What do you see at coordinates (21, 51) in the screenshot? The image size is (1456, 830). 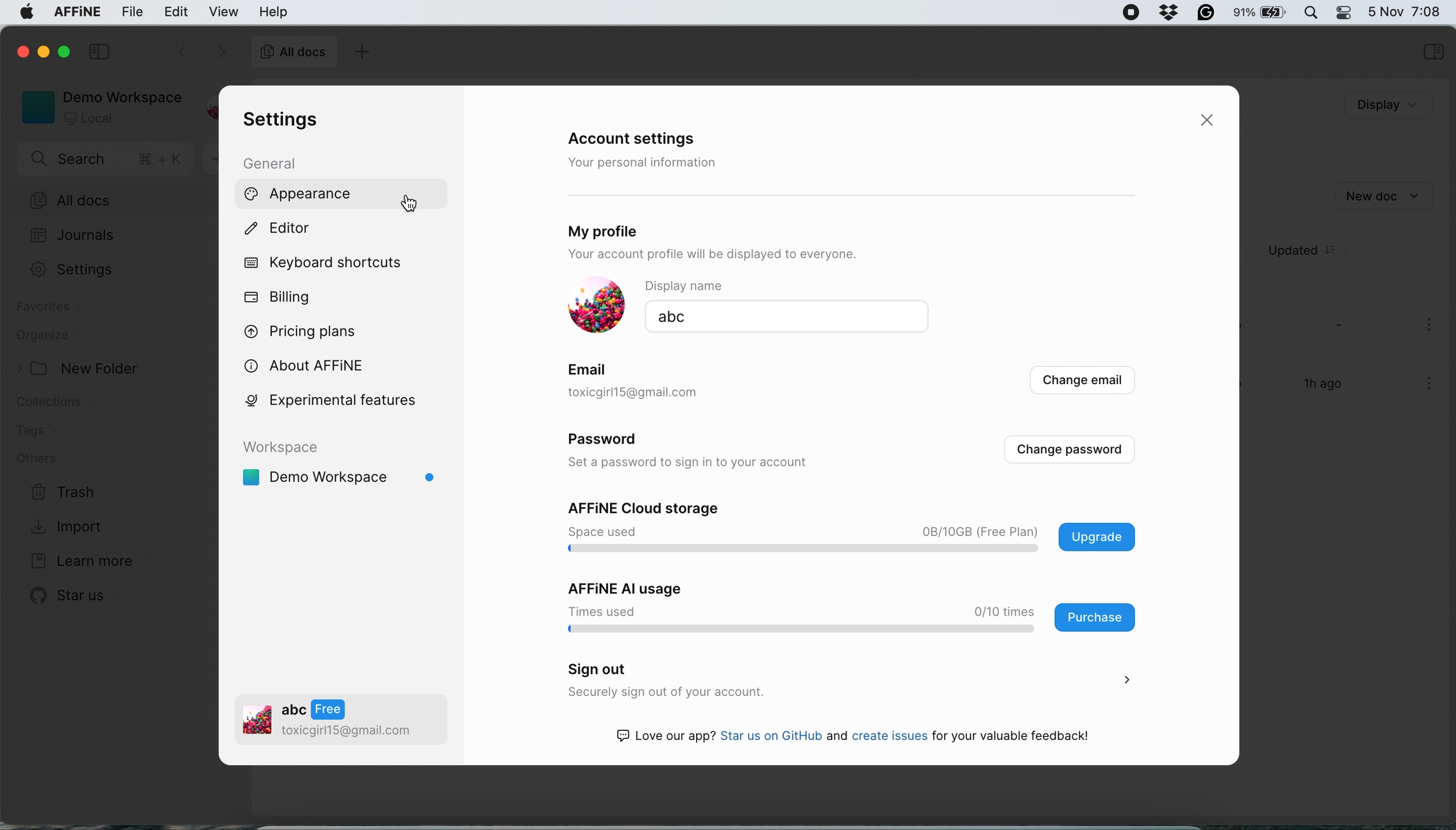 I see `close` at bounding box center [21, 51].